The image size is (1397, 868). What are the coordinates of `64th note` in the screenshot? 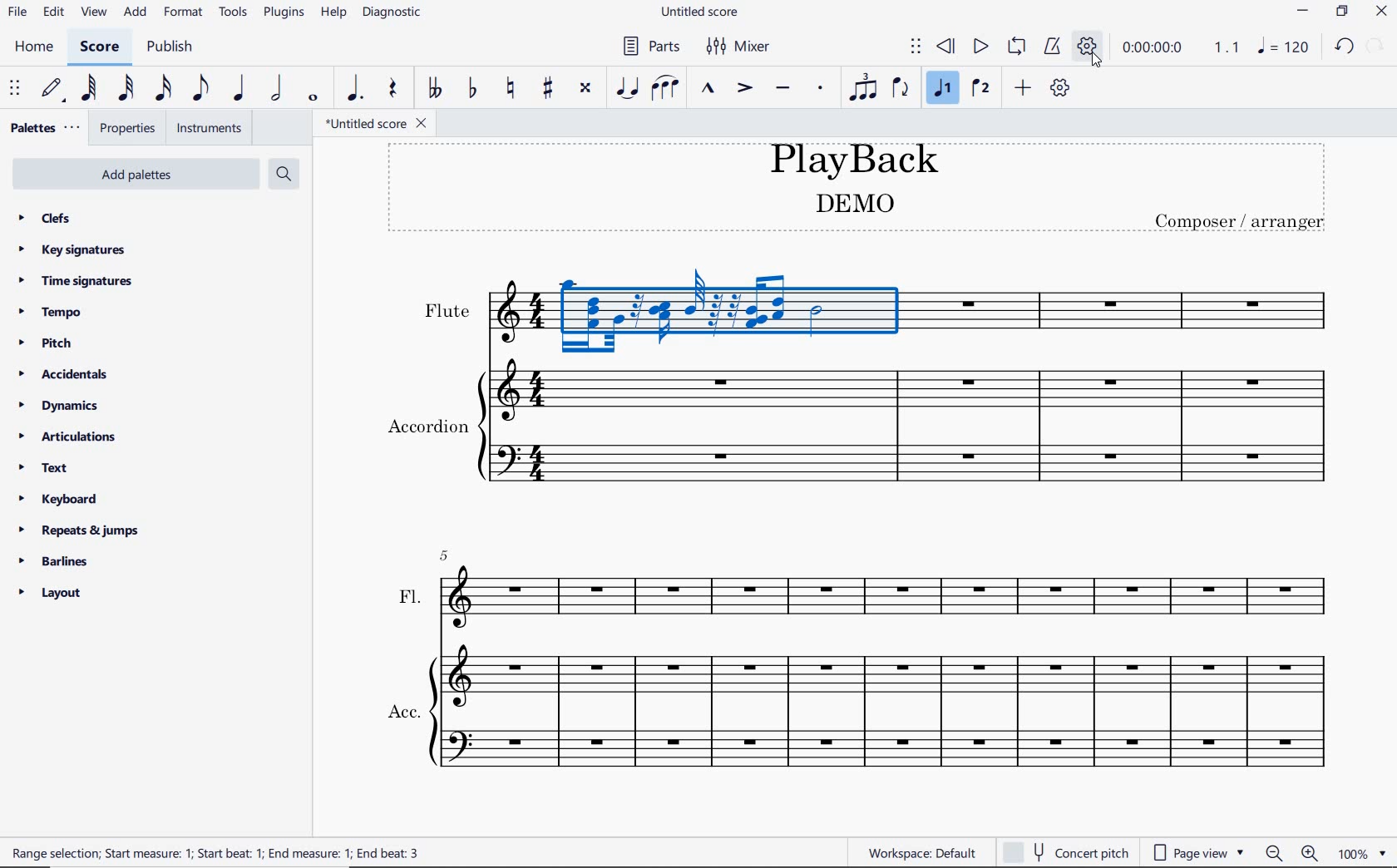 It's located at (90, 88).